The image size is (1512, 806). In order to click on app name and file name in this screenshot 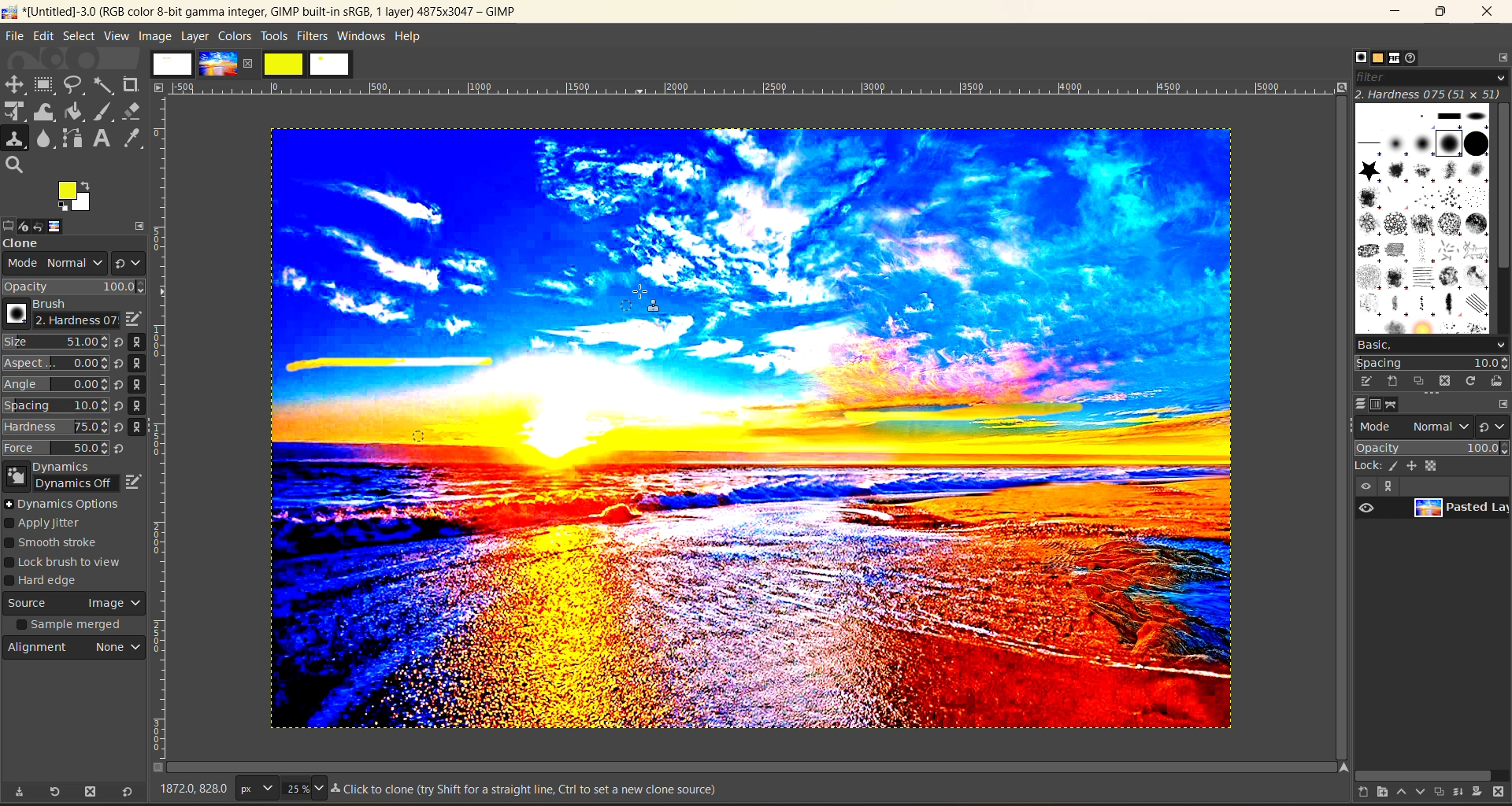, I will do `click(261, 11)`.